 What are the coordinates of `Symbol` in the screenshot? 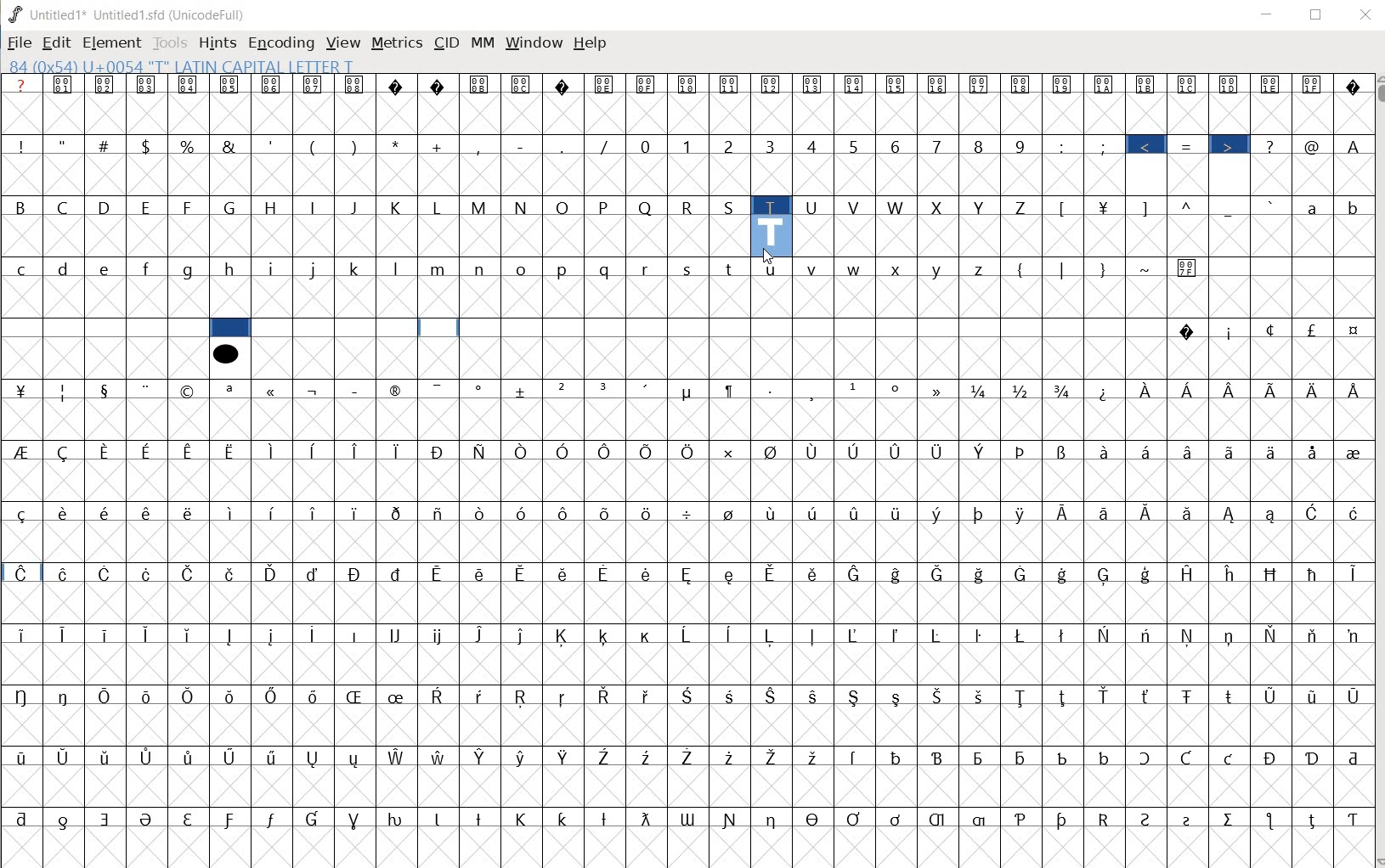 It's located at (1350, 820).